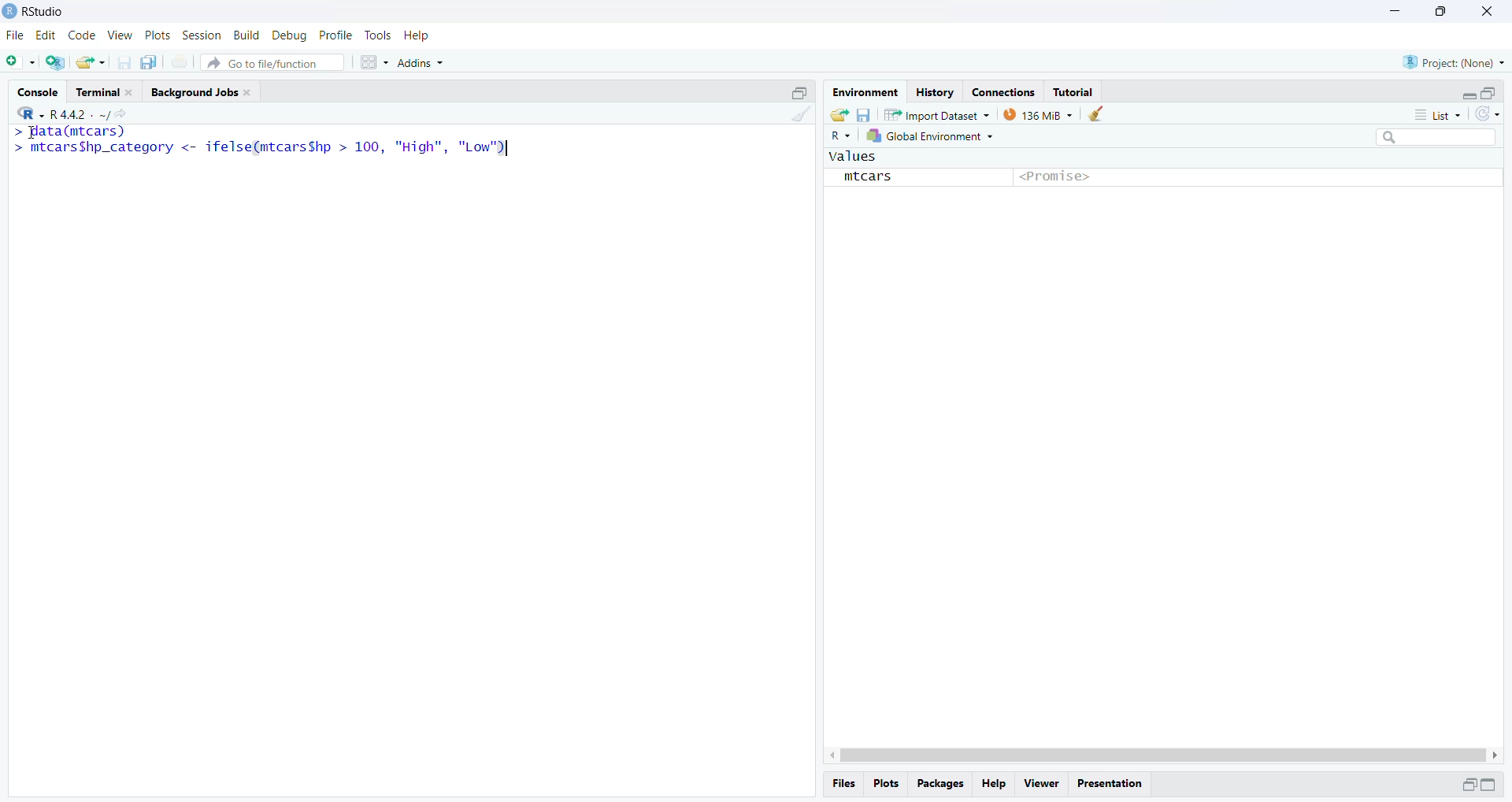 The width and height of the screenshot is (1512, 802). Describe the element at coordinates (81, 35) in the screenshot. I see `Code` at that location.